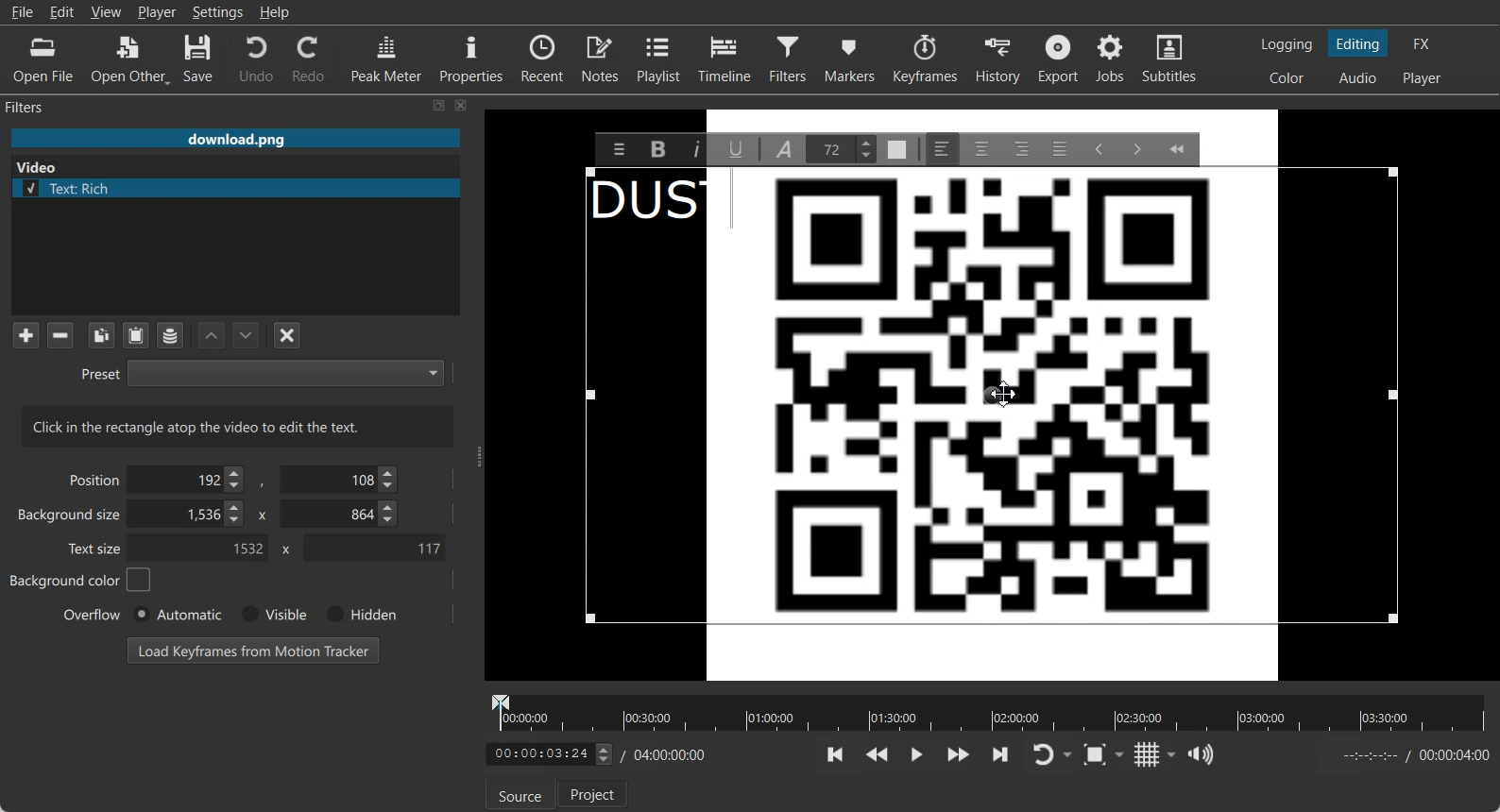 The height and width of the screenshot is (812, 1500). I want to click on Redo, so click(310, 59).